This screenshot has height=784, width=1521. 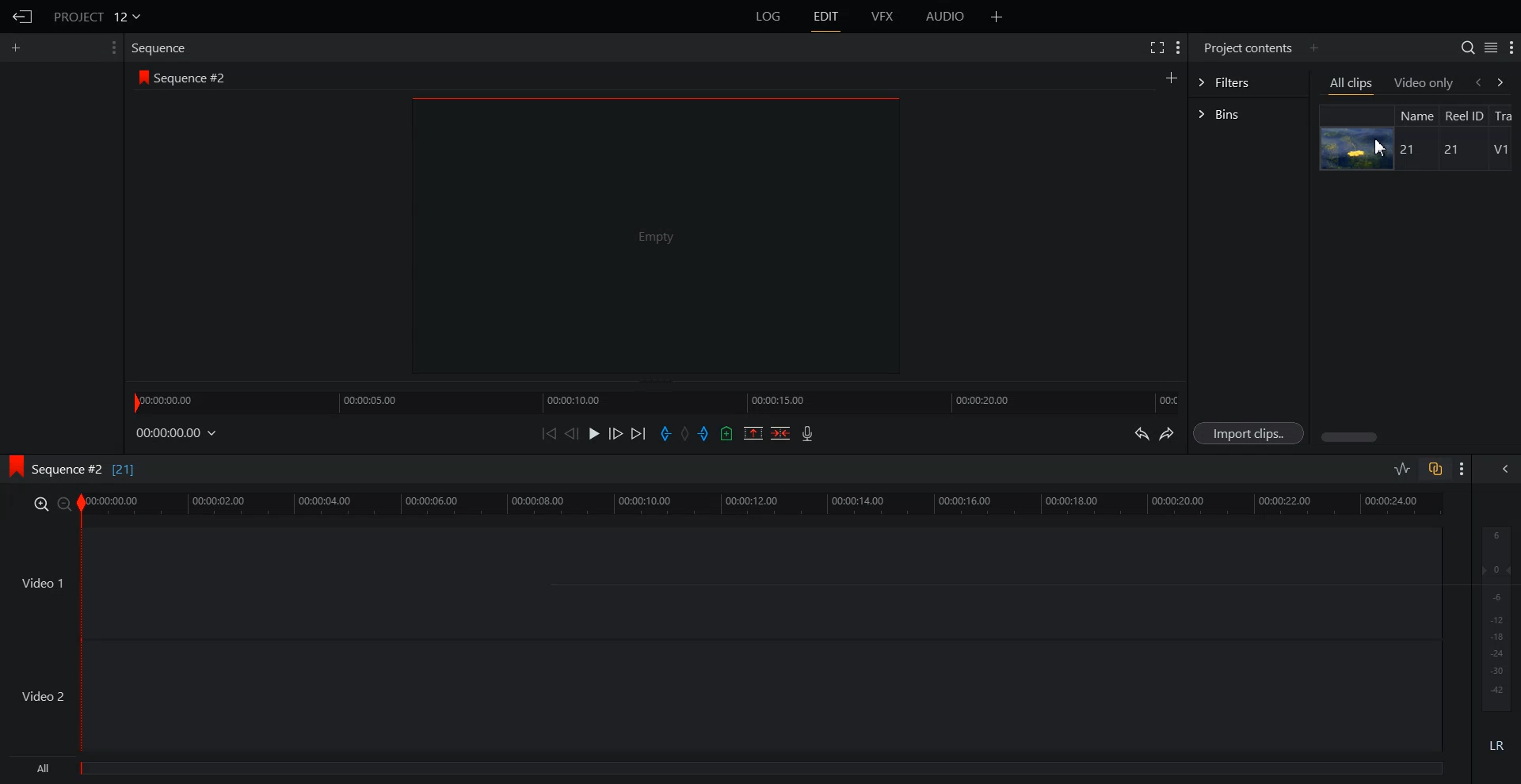 I want to click on Sequence #2, so click(x=193, y=75).